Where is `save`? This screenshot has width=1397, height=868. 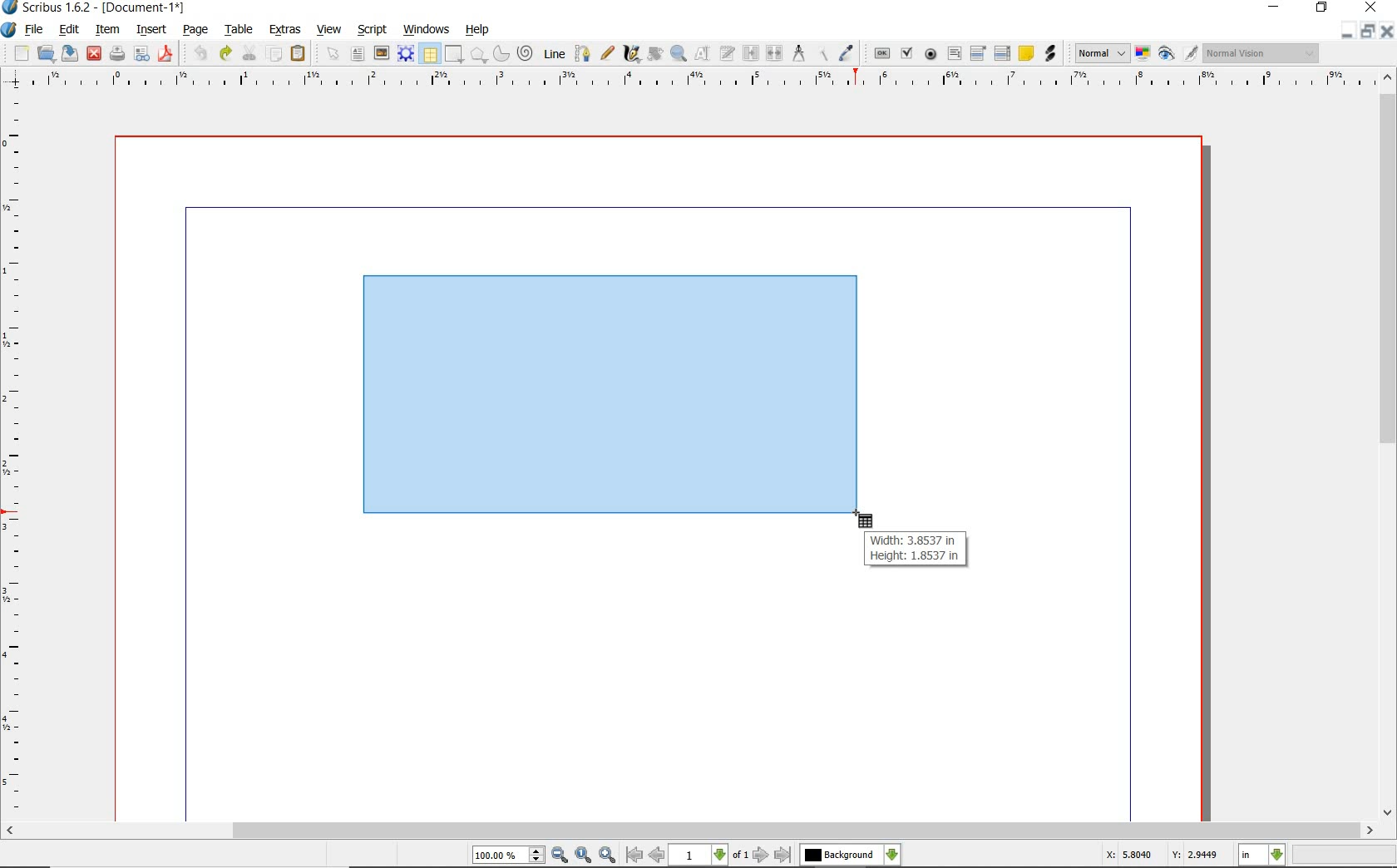 save is located at coordinates (71, 52).